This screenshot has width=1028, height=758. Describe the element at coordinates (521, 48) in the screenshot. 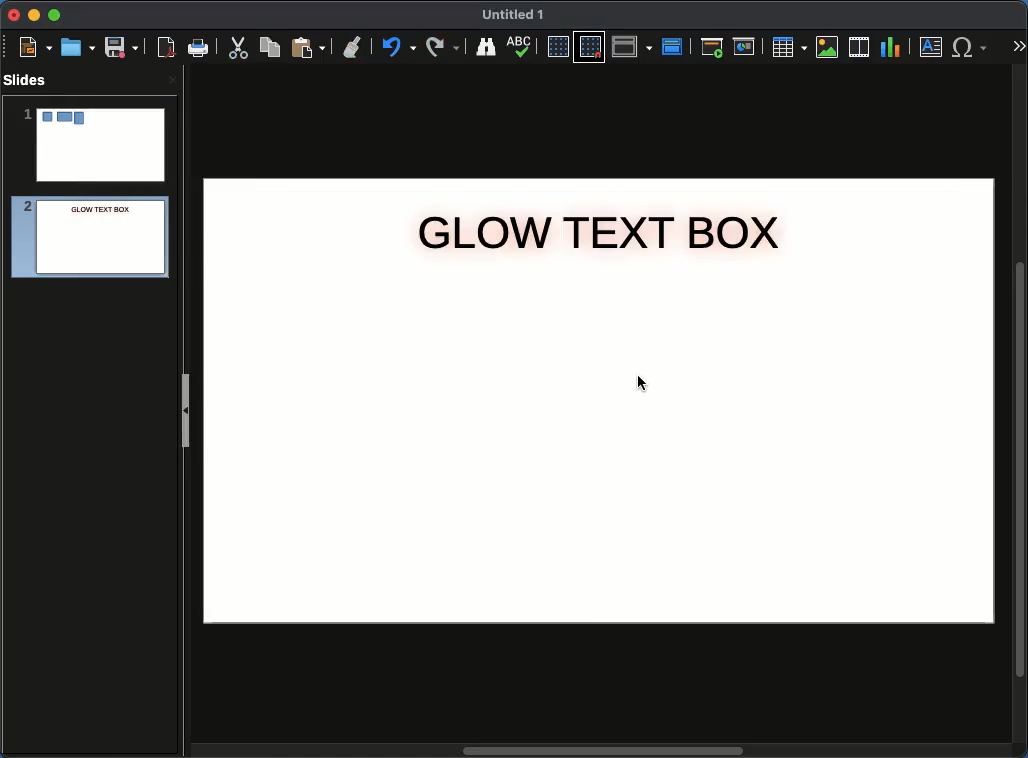

I see `Spell check` at that location.